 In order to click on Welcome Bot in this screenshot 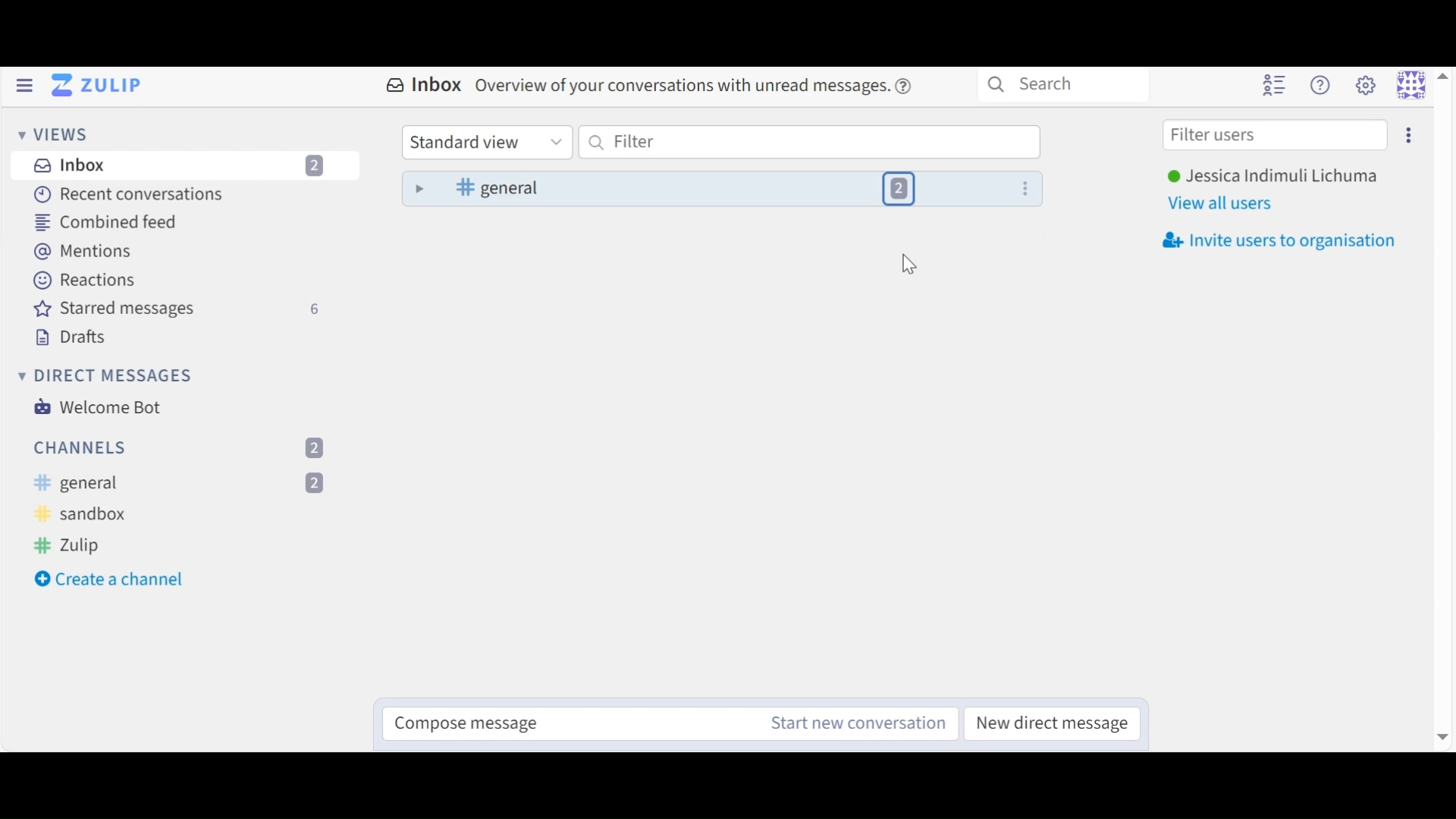, I will do `click(101, 407)`.